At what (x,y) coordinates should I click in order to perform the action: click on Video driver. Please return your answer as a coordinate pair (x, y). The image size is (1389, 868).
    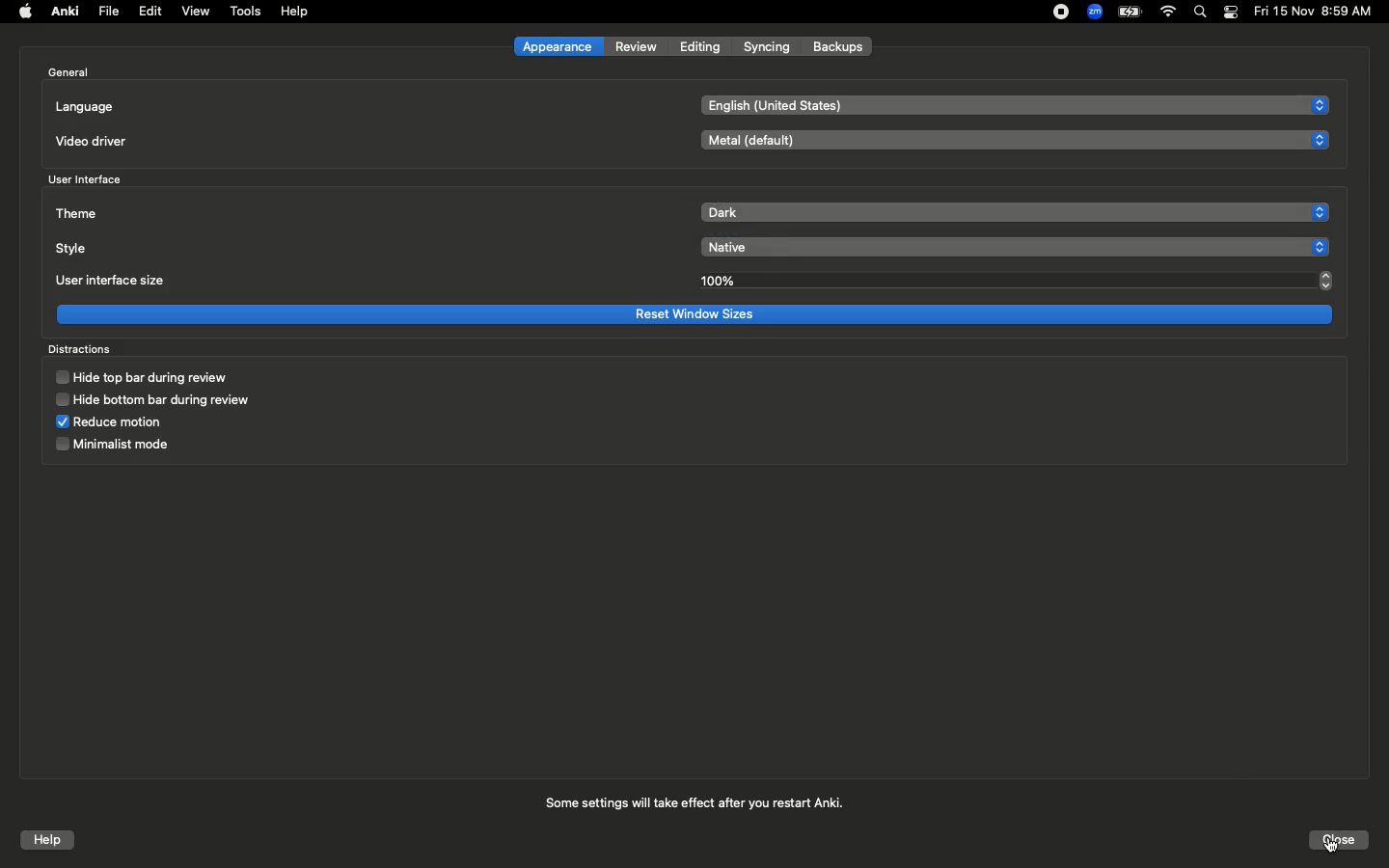
    Looking at the image, I should click on (97, 140).